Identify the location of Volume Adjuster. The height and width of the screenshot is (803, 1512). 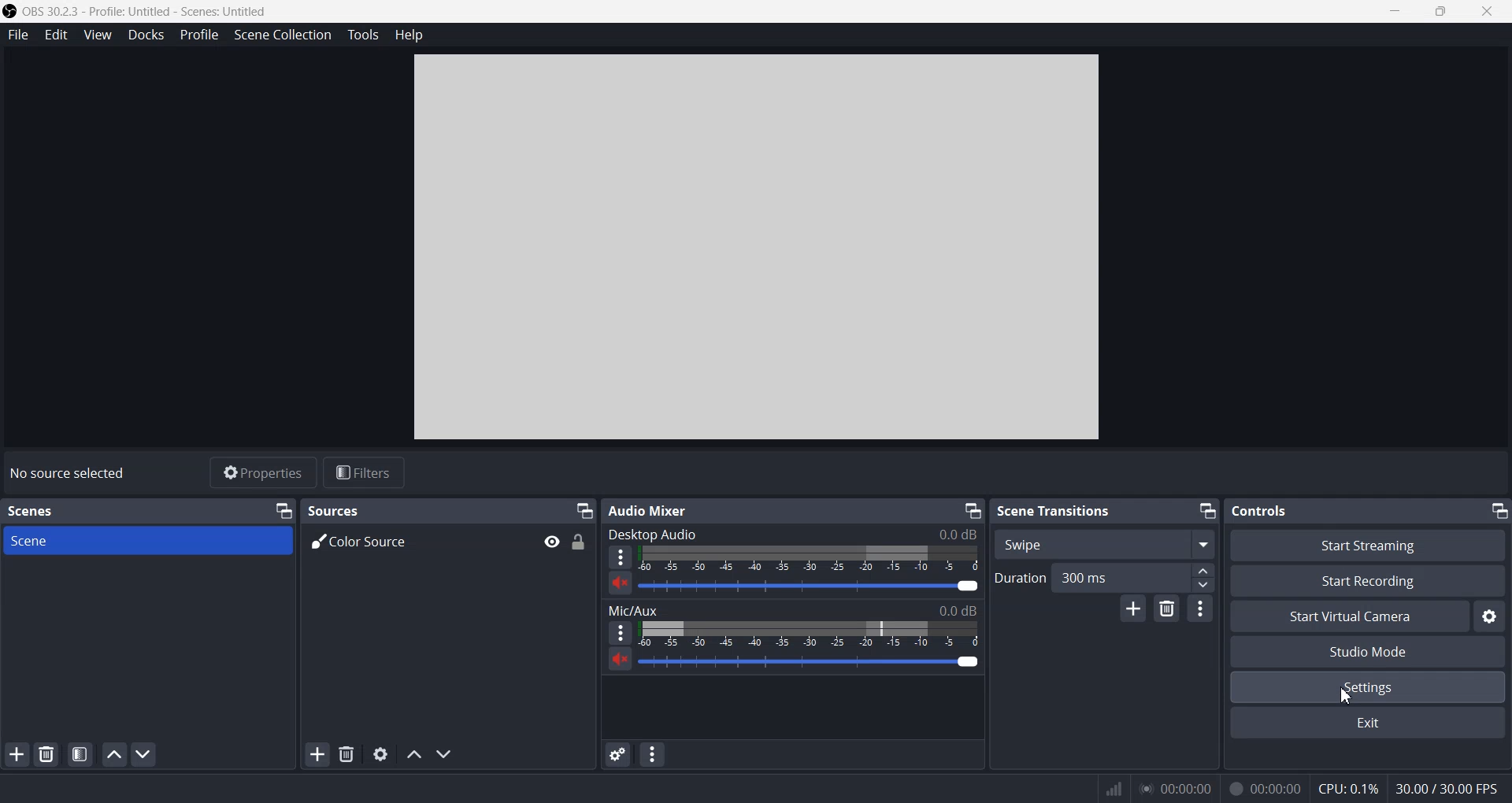
(810, 661).